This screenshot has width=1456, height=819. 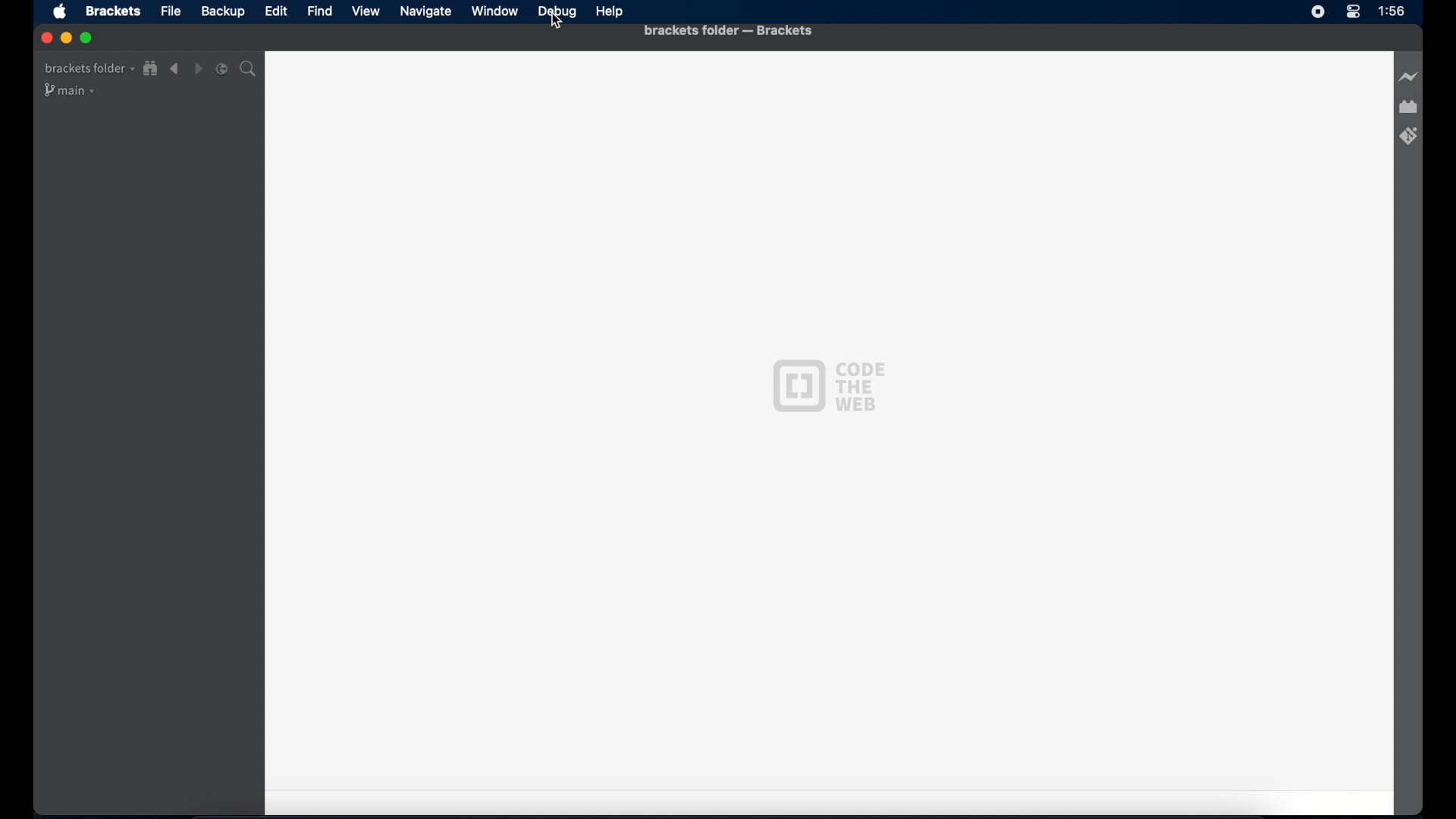 I want to click on help, so click(x=610, y=12).